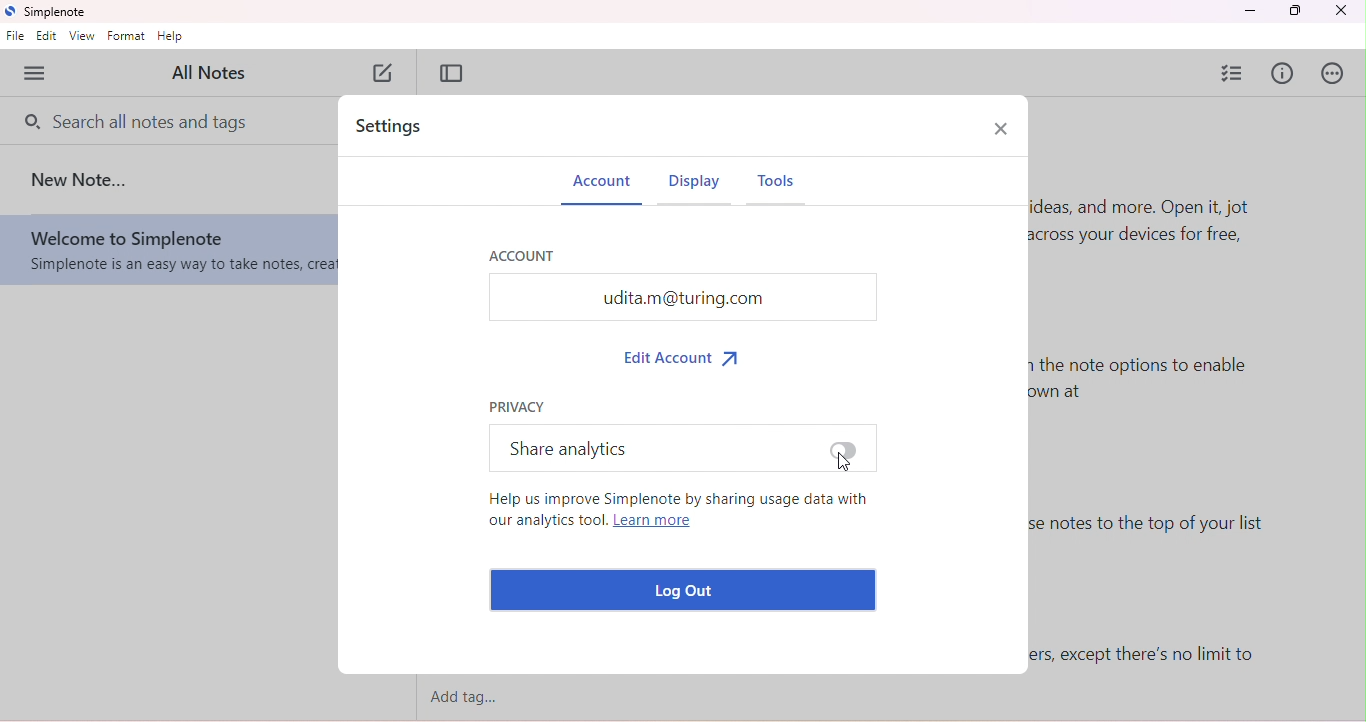  What do you see at coordinates (1149, 655) in the screenshot?
I see `text on tags` at bounding box center [1149, 655].